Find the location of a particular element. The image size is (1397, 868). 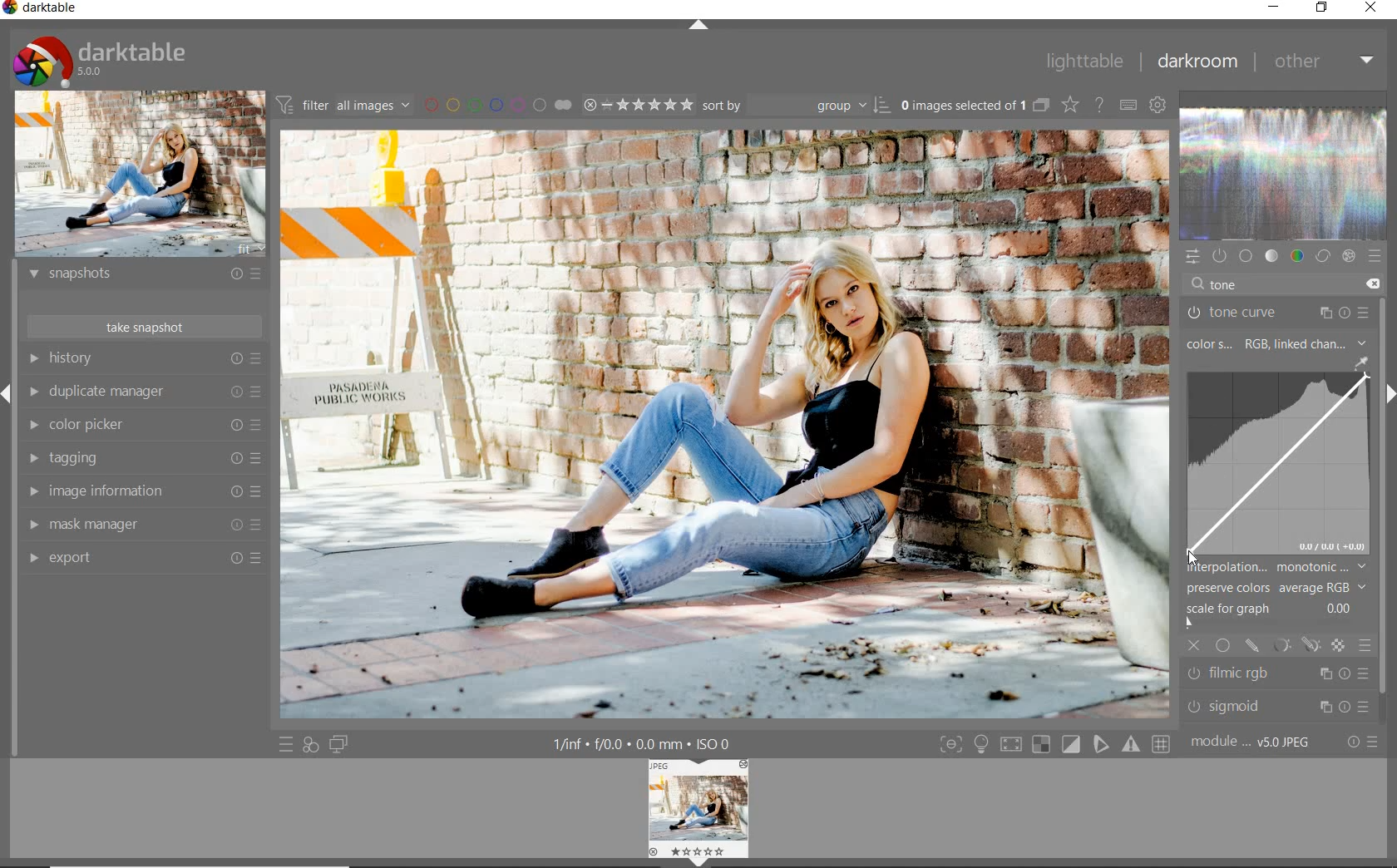

snapshots is located at coordinates (144, 277).